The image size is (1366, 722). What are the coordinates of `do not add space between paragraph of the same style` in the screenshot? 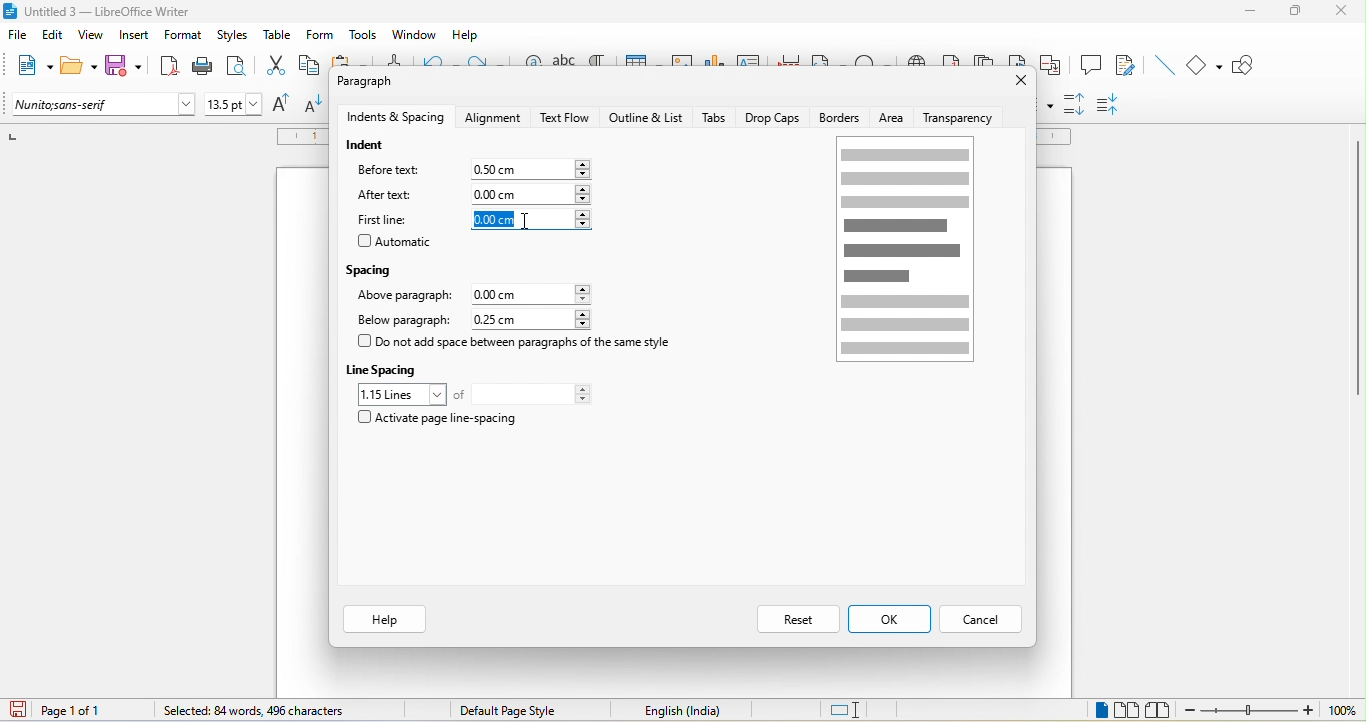 It's located at (529, 343).